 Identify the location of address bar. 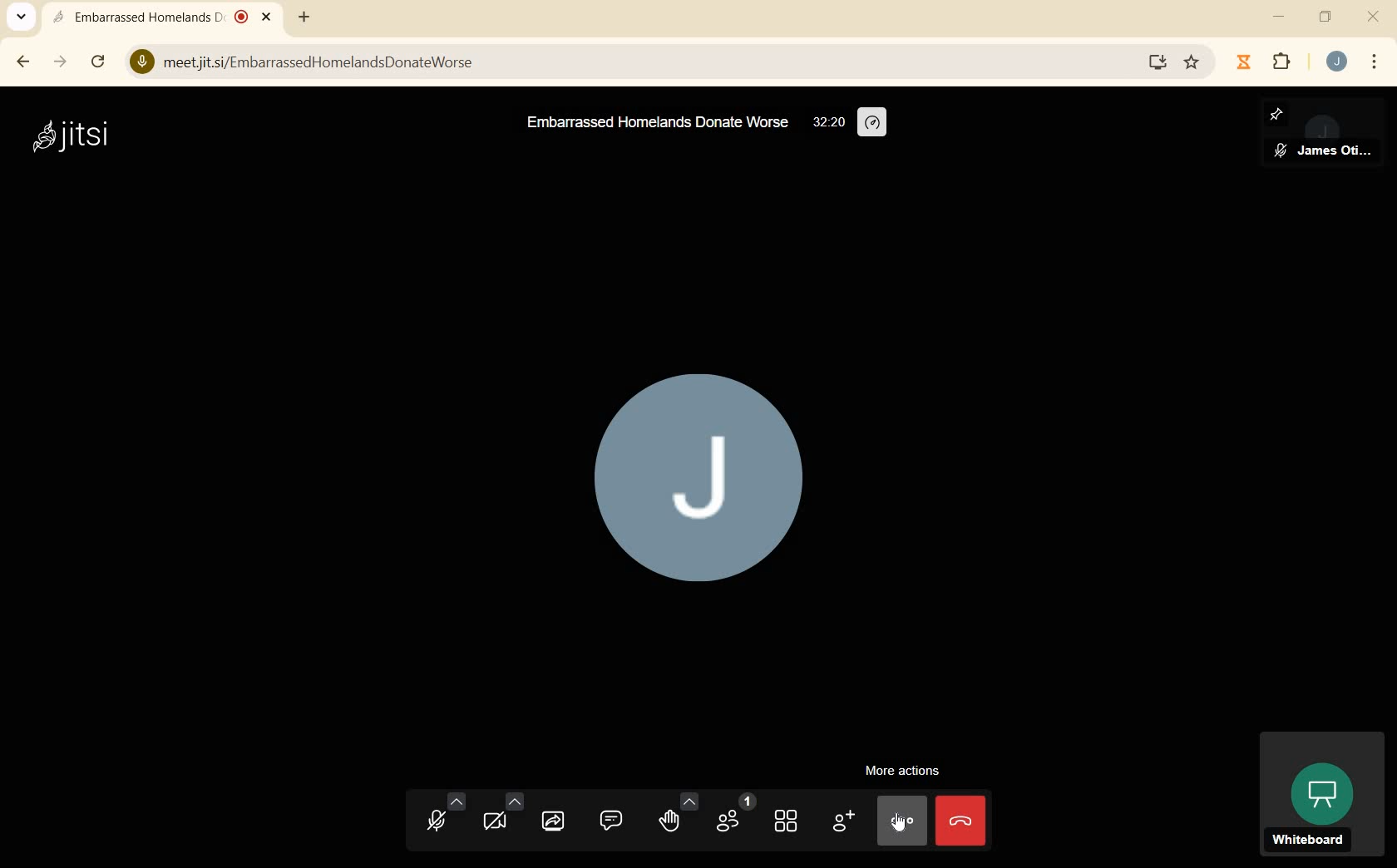
(644, 63).